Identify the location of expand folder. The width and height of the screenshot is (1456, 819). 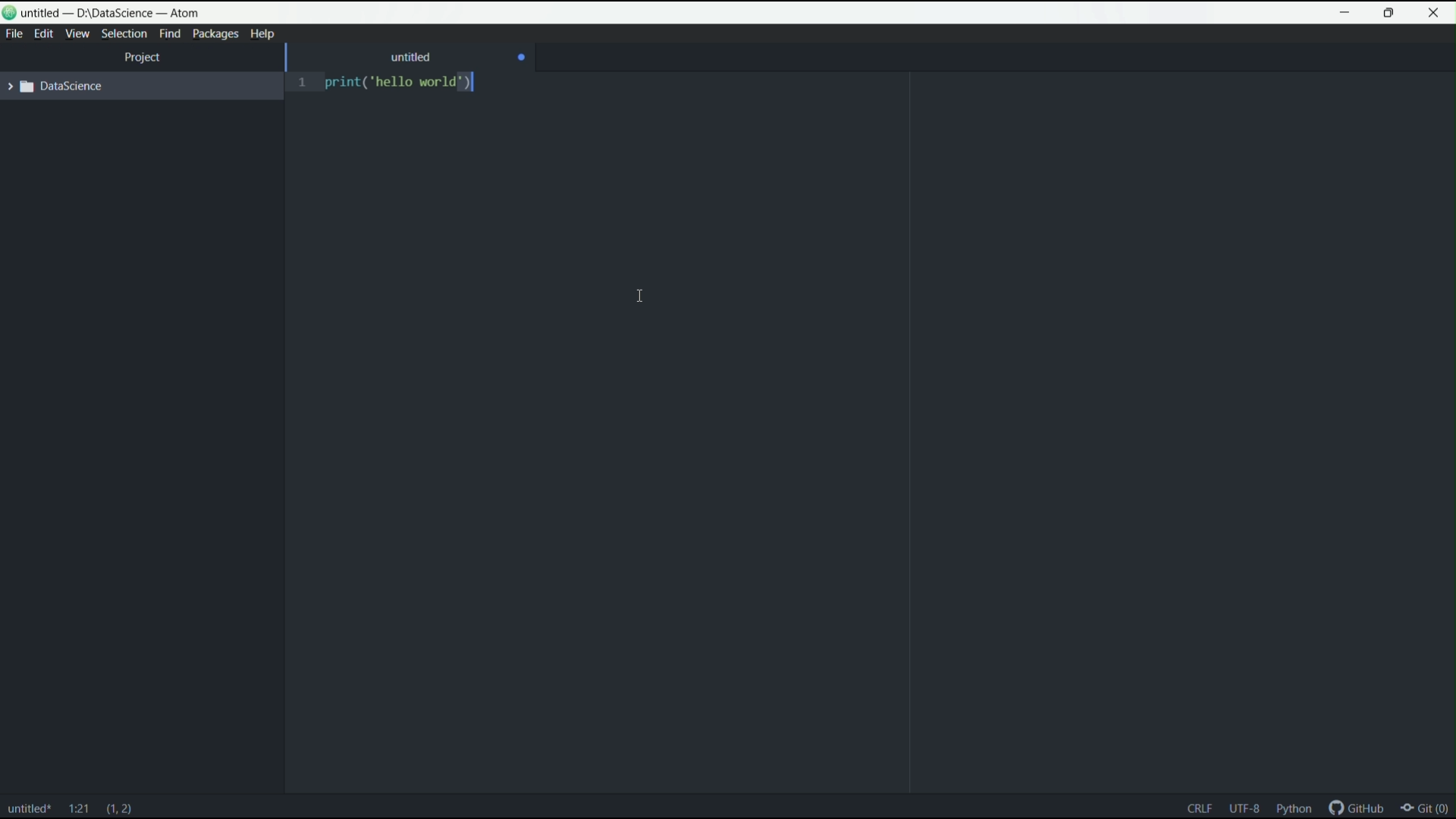
(53, 86).